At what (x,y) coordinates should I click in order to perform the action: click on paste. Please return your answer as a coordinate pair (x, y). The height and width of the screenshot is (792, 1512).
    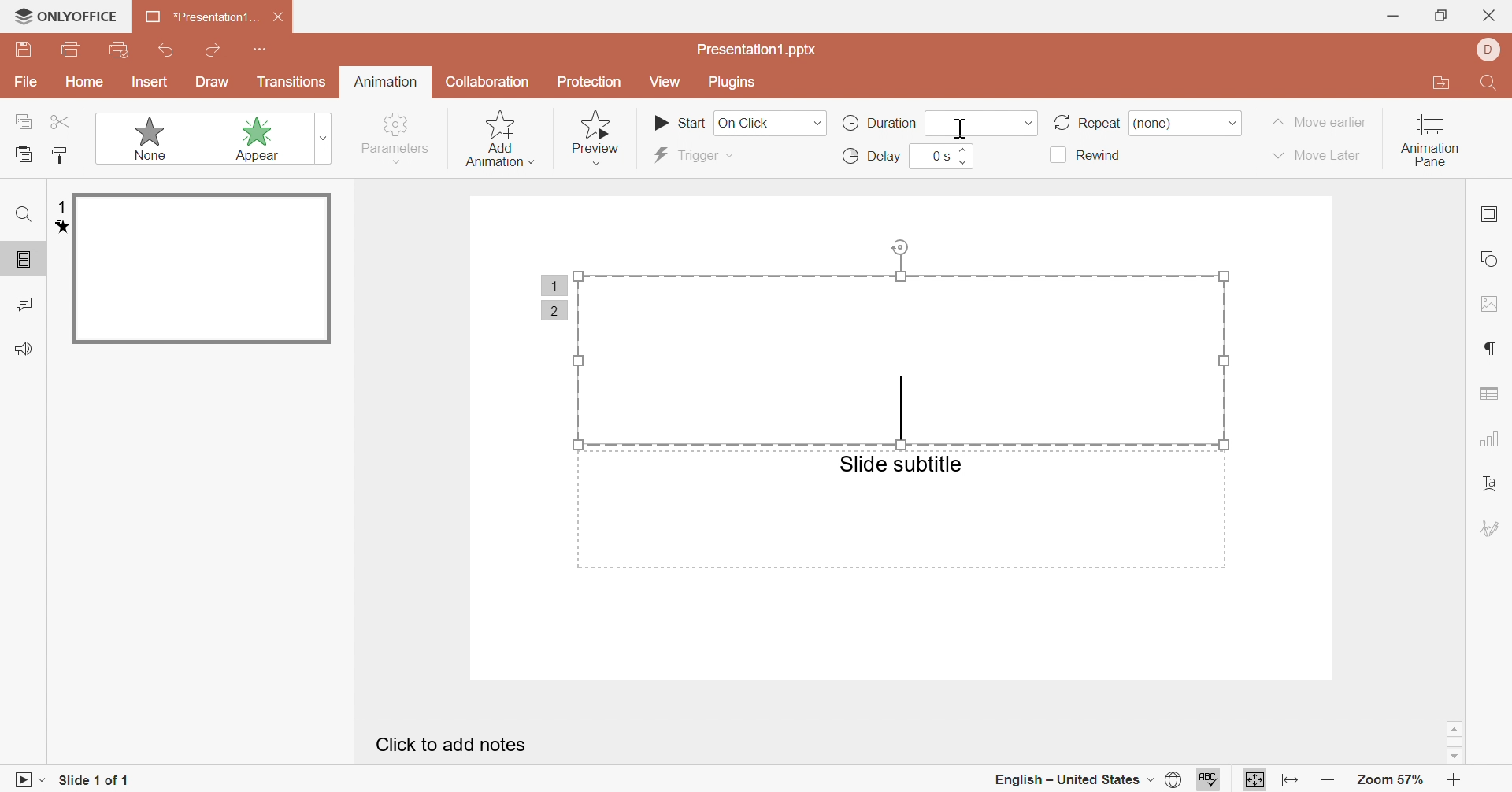
    Looking at the image, I should click on (24, 153).